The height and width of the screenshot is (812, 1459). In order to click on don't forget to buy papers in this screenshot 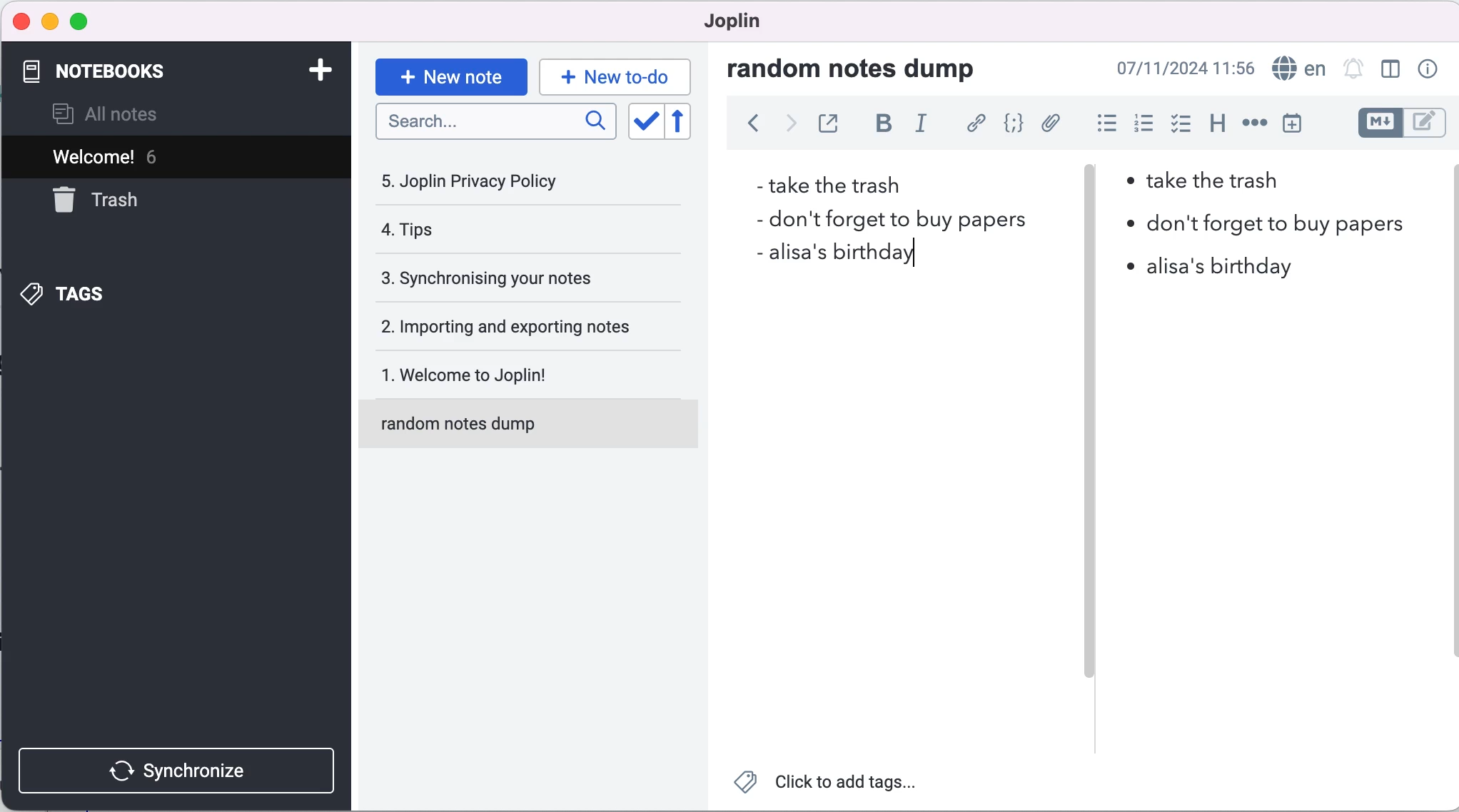, I will do `click(882, 219)`.